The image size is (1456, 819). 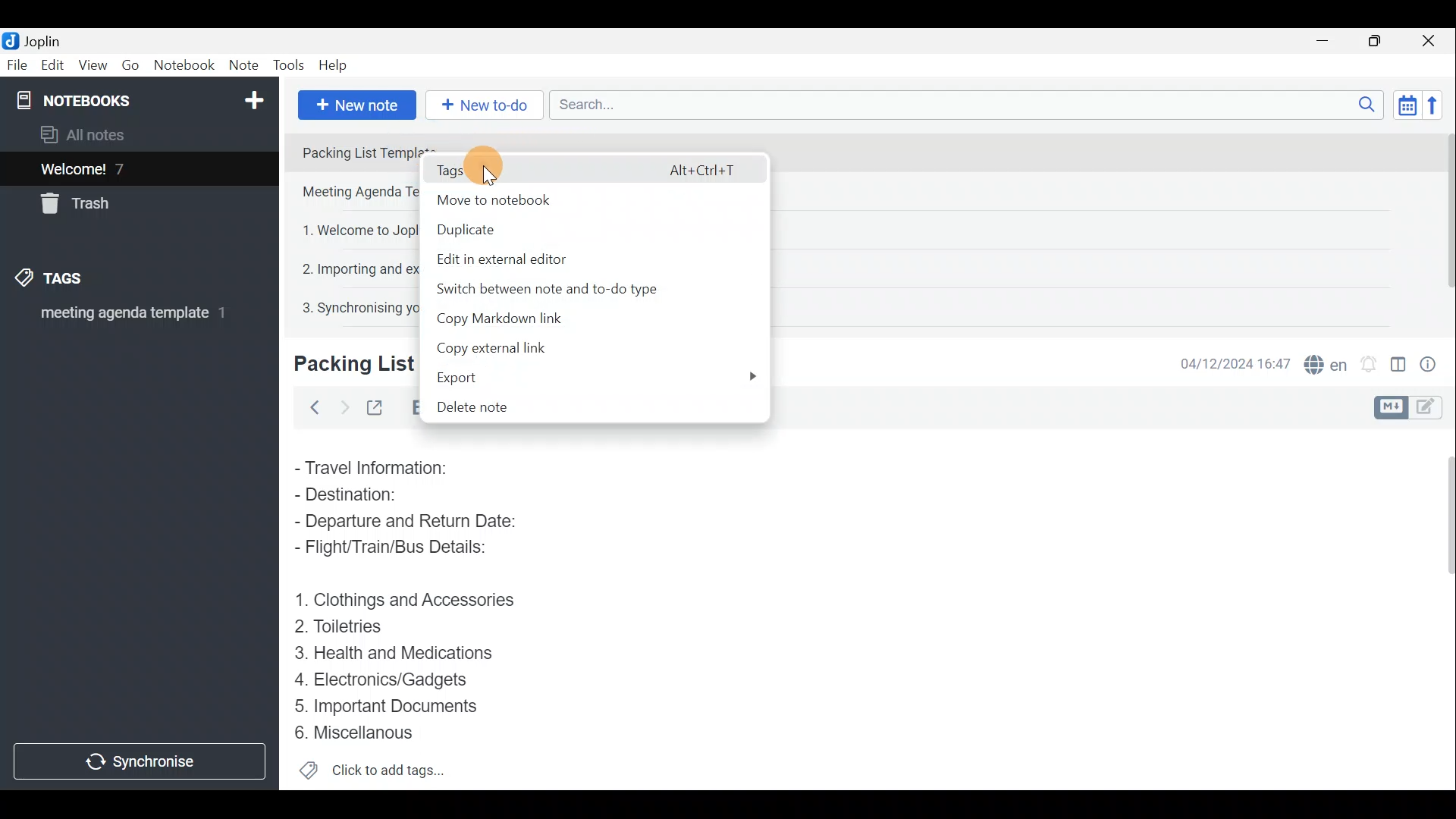 I want to click on Note 3, so click(x=337, y=228).